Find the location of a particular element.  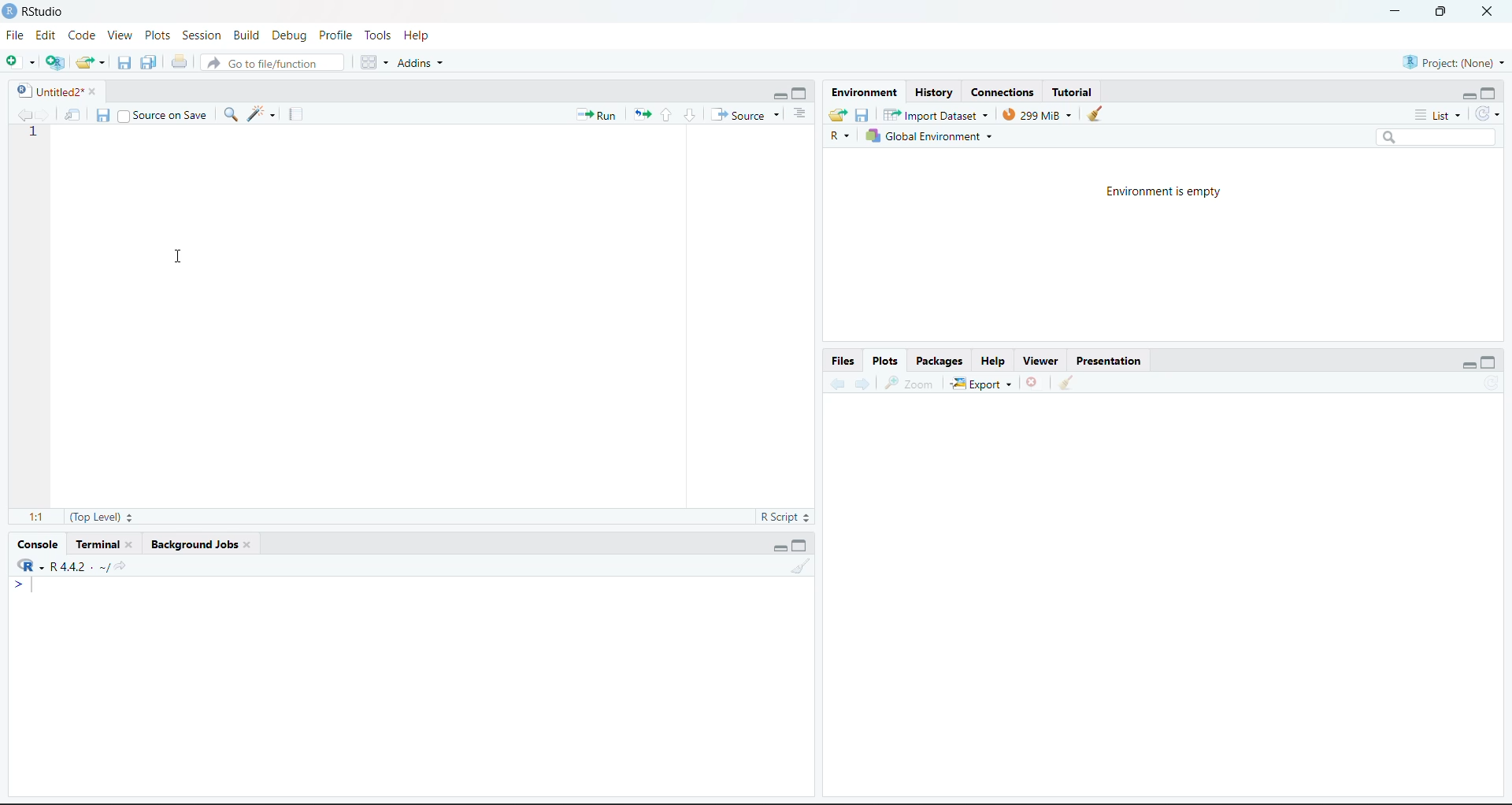

open an existing file is located at coordinates (89, 61).